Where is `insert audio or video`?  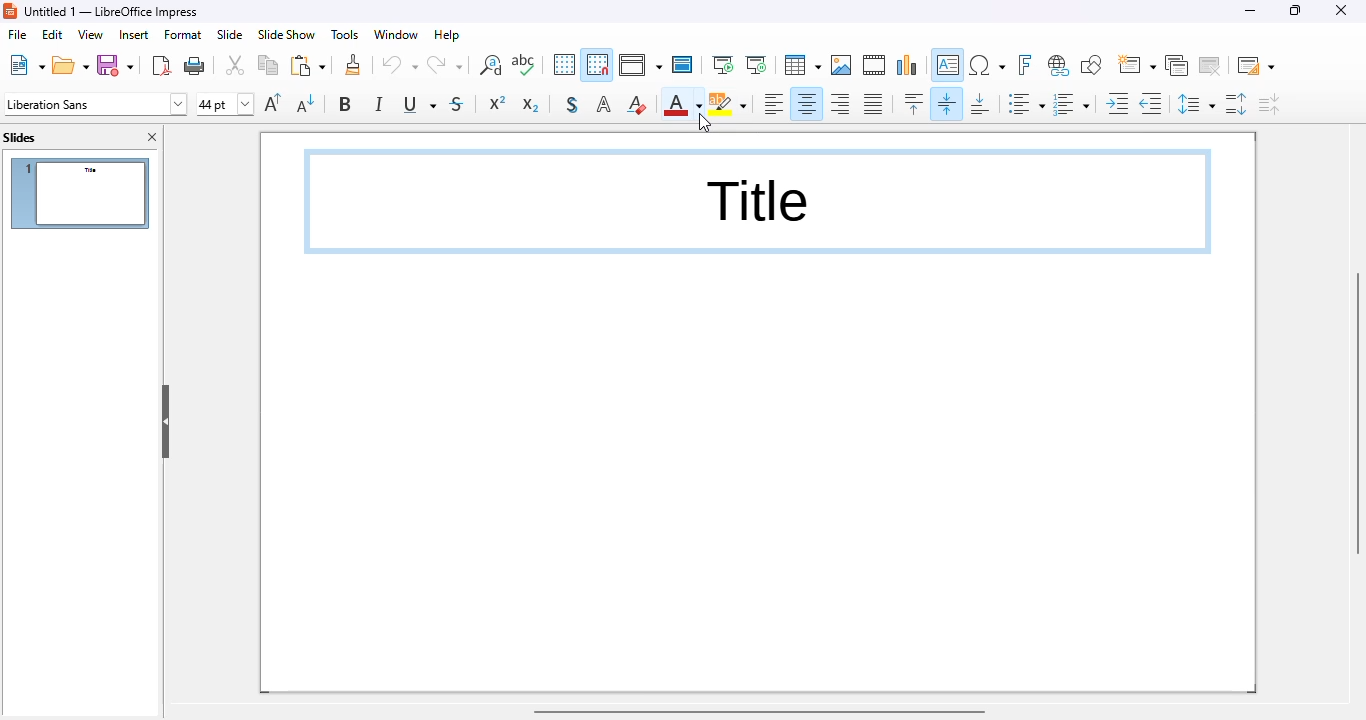
insert audio or video is located at coordinates (874, 65).